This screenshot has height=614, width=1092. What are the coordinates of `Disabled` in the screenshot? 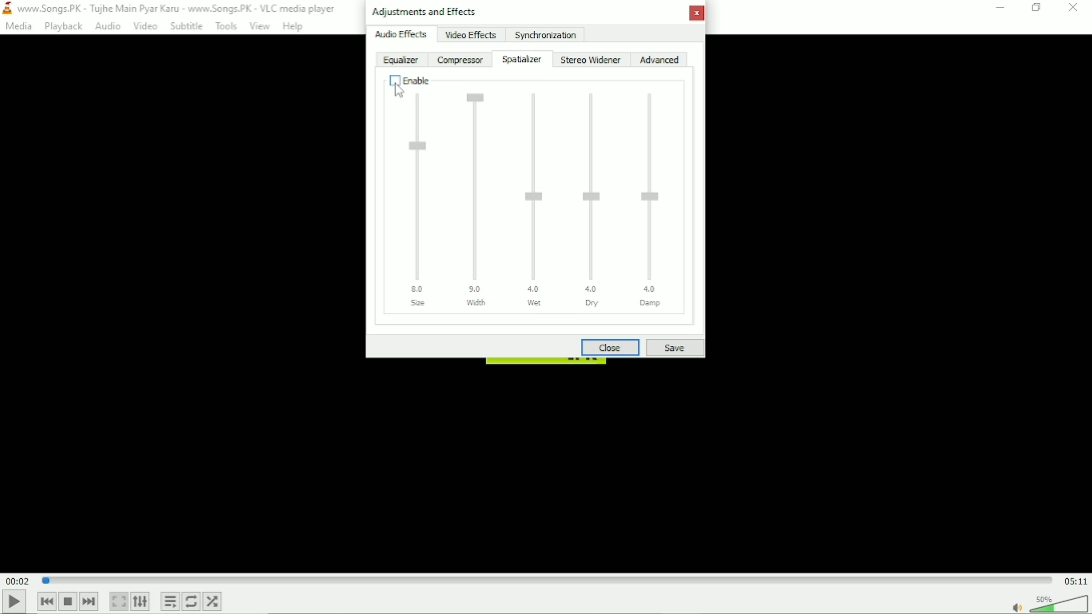 It's located at (409, 80).